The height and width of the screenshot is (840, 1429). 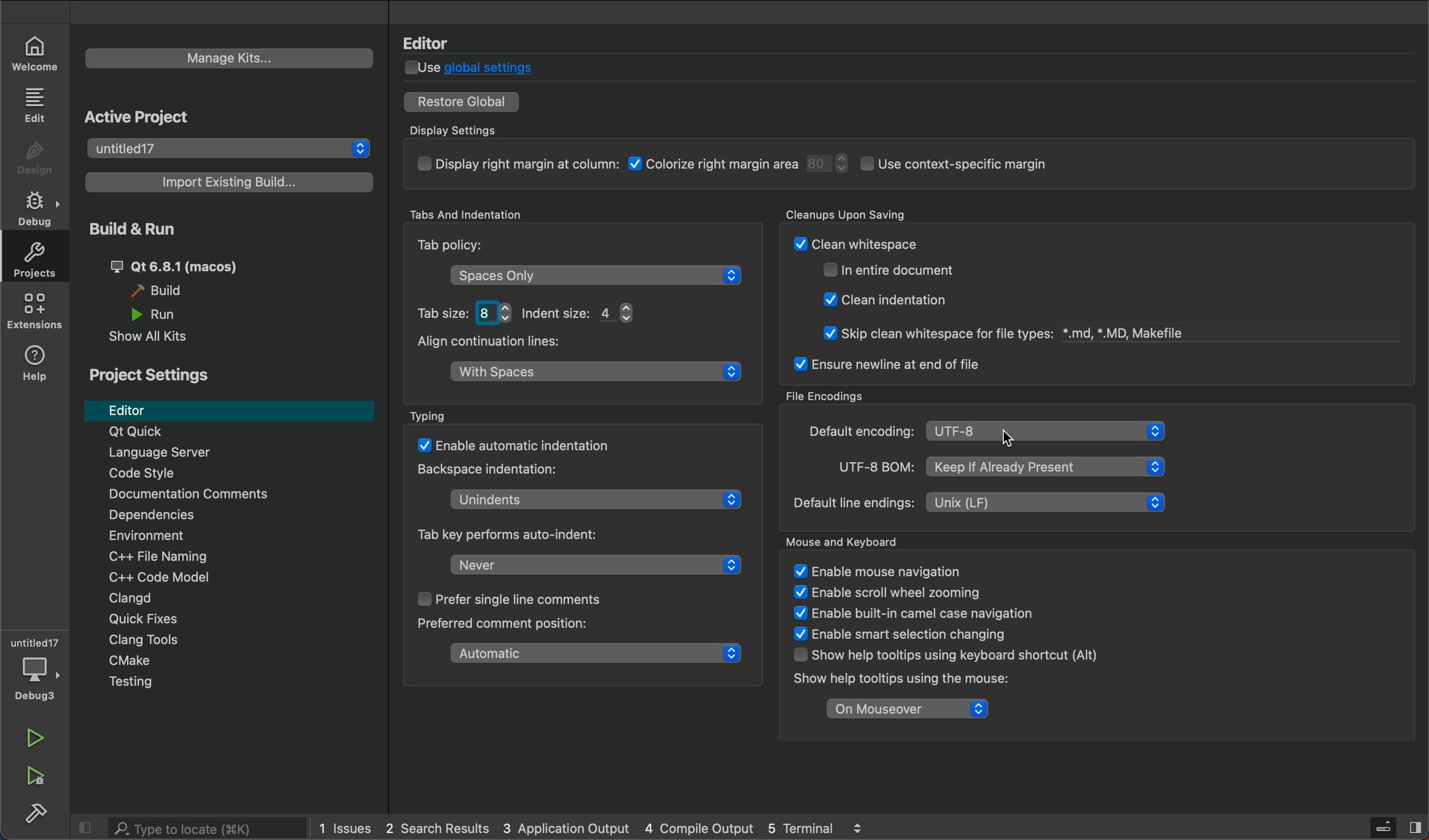 I want to click on Clangd, so click(x=217, y=598).